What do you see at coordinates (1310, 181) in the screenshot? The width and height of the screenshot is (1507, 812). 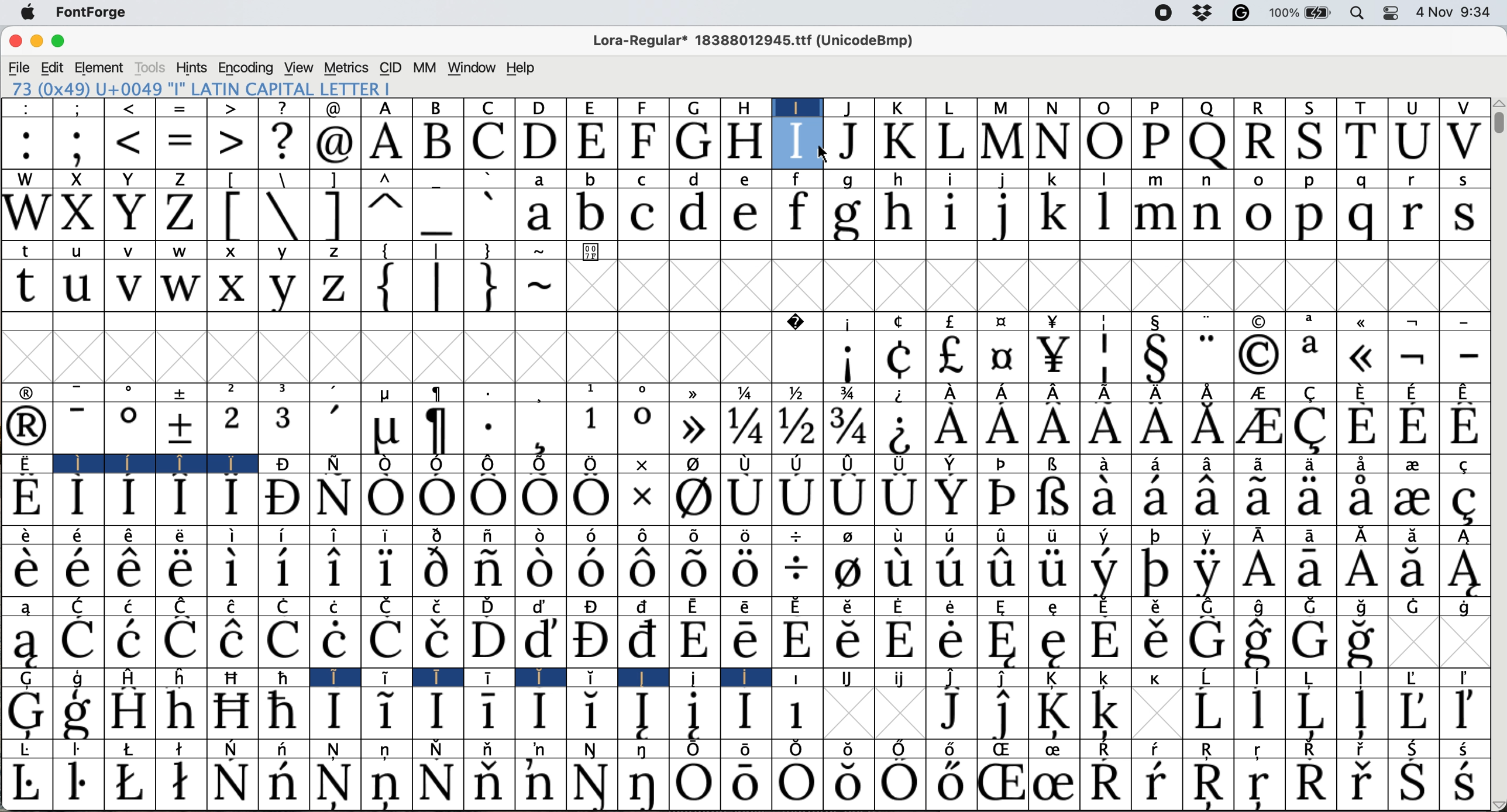 I see `p` at bounding box center [1310, 181].